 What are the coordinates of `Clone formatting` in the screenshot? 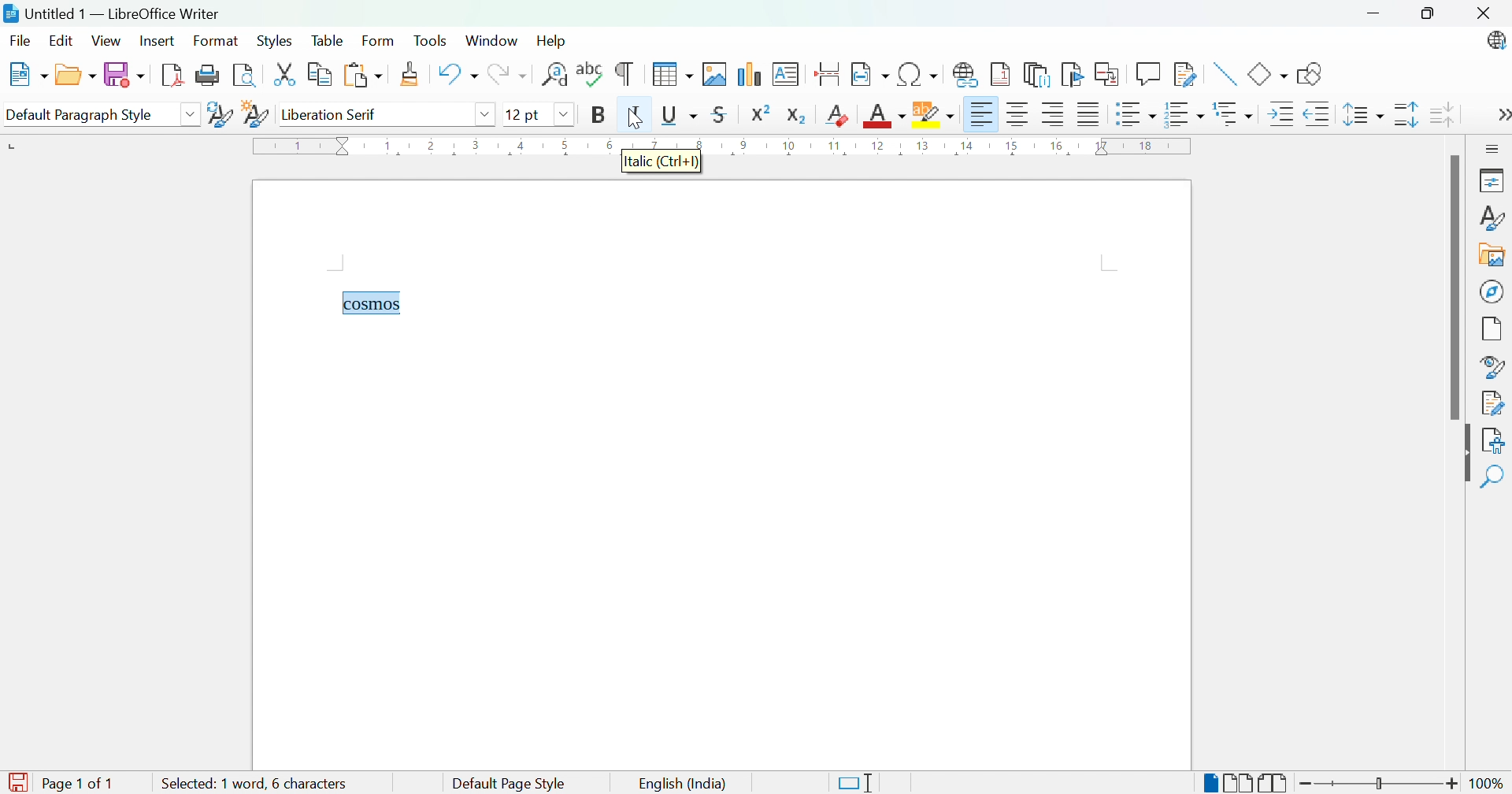 It's located at (413, 74).